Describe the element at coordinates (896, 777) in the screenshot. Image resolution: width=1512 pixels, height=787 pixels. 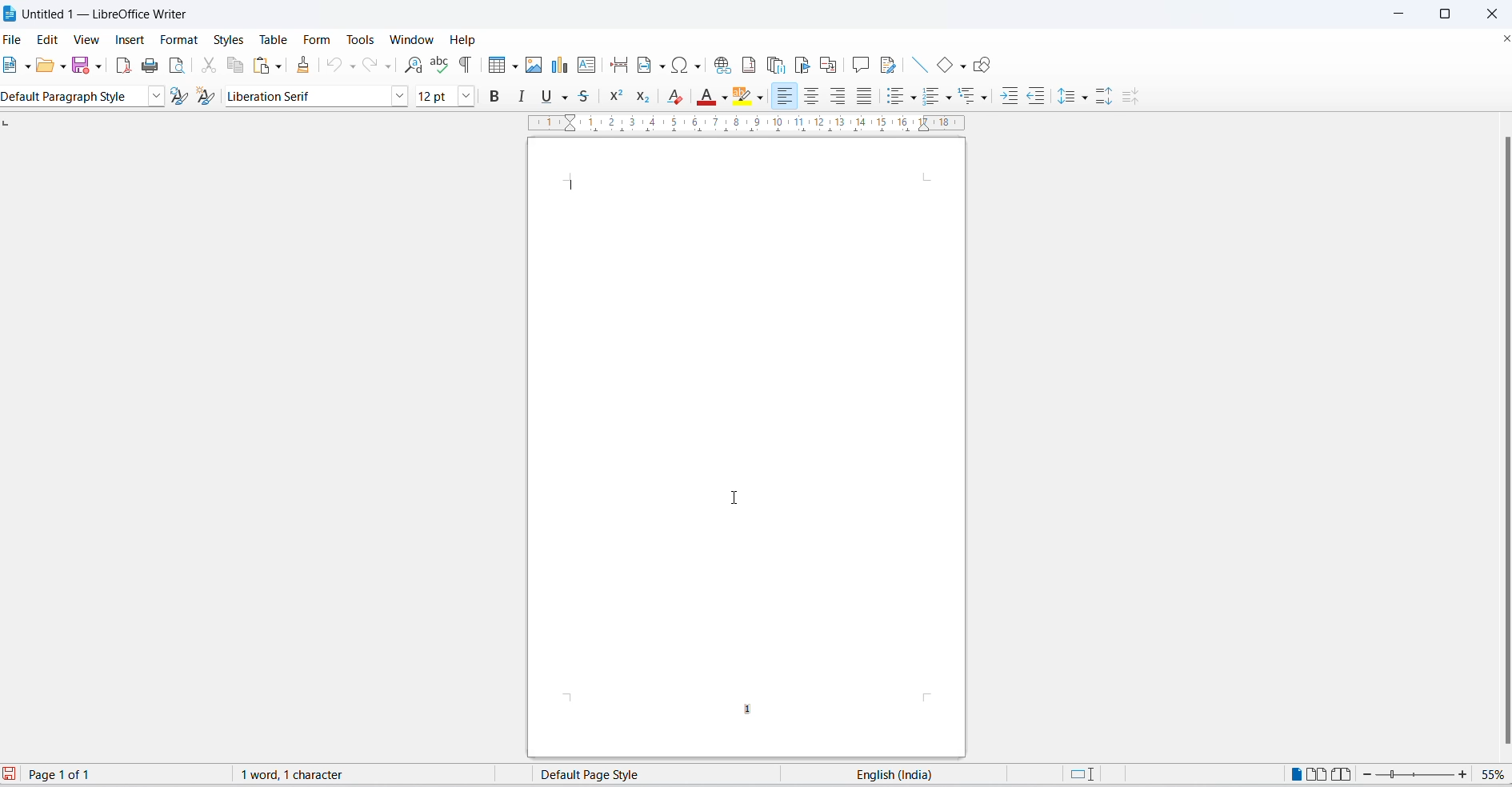
I see `English(India)` at that location.